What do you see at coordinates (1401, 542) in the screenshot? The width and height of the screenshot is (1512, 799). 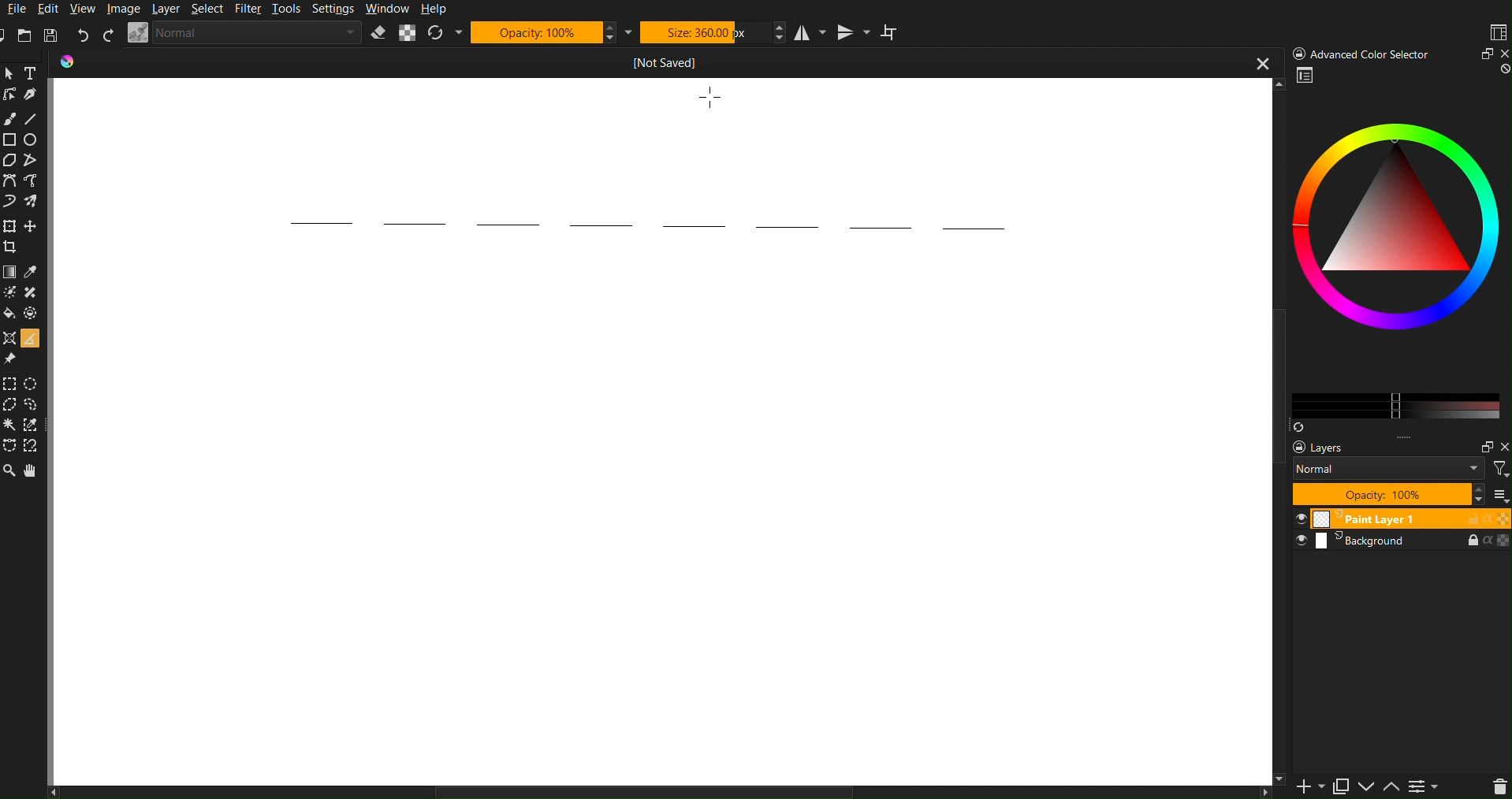 I see `Background` at bounding box center [1401, 542].